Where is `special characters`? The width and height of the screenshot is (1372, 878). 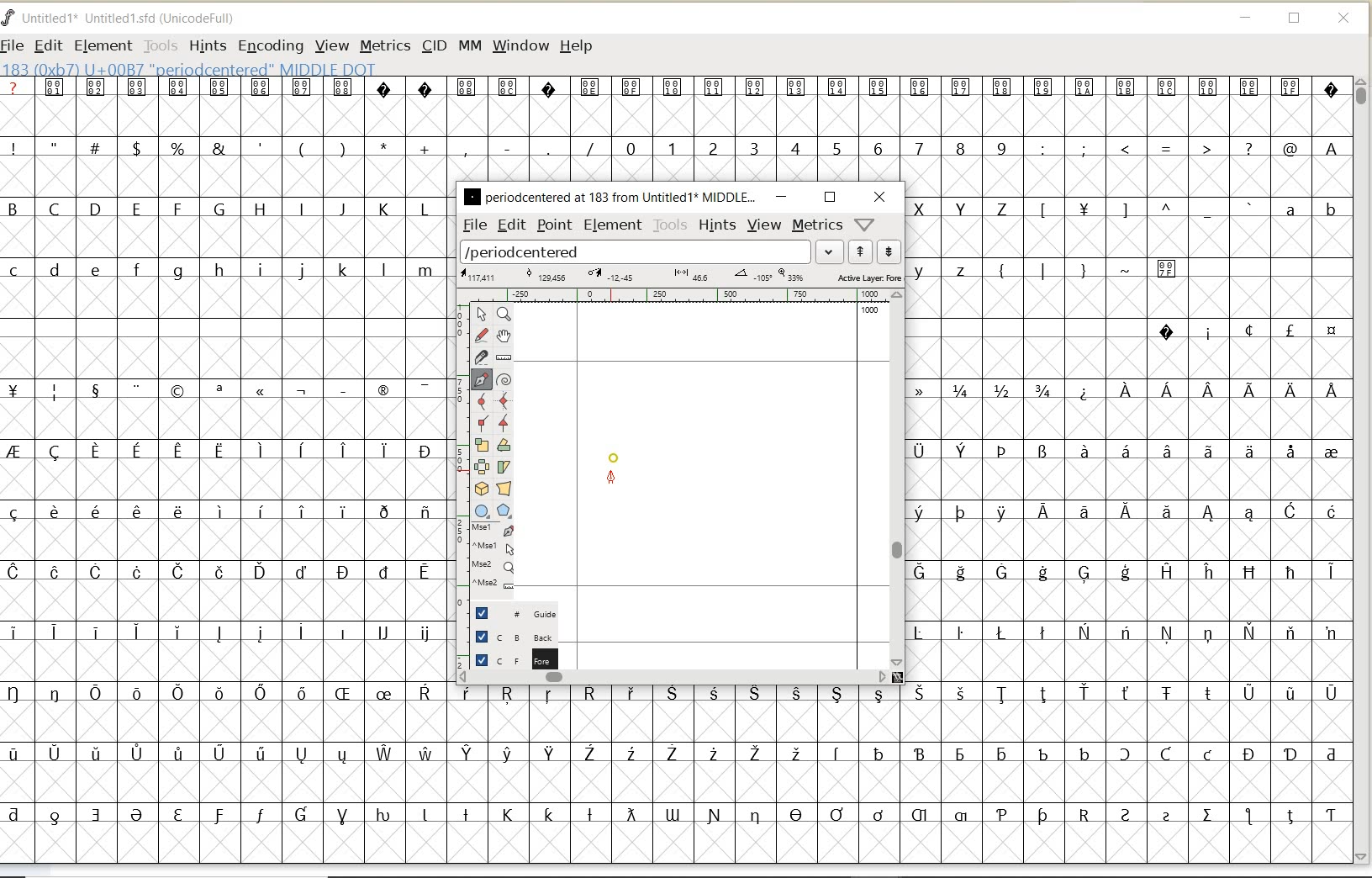 special characters is located at coordinates (1131, 526).